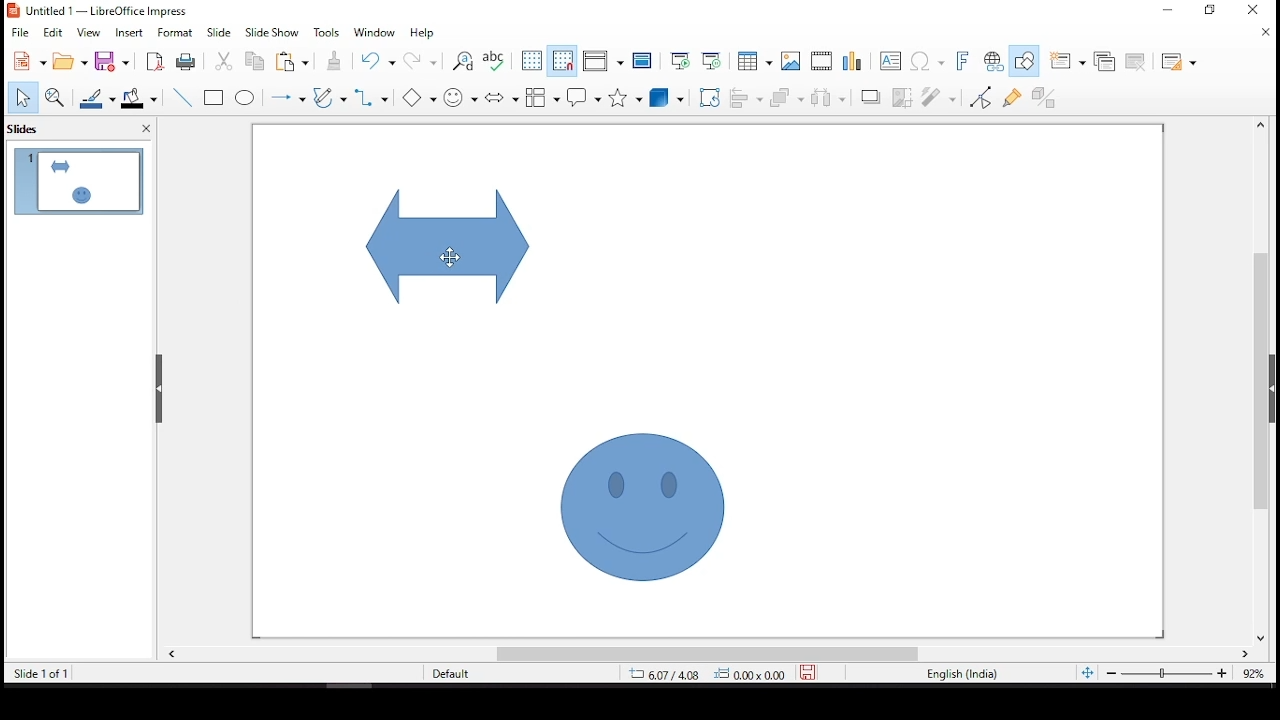  I want to click on curves and polygons, so click(328, 97).